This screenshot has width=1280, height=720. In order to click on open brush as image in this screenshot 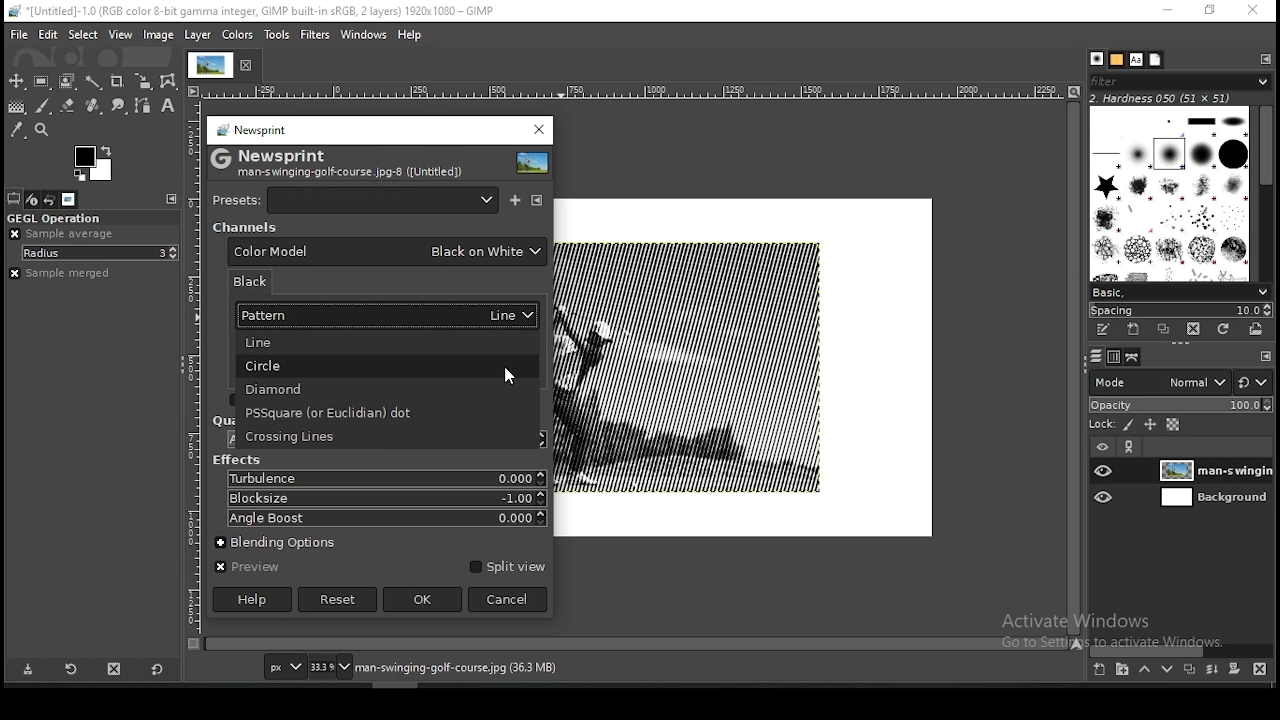, I will do `click(1260, 332)`.